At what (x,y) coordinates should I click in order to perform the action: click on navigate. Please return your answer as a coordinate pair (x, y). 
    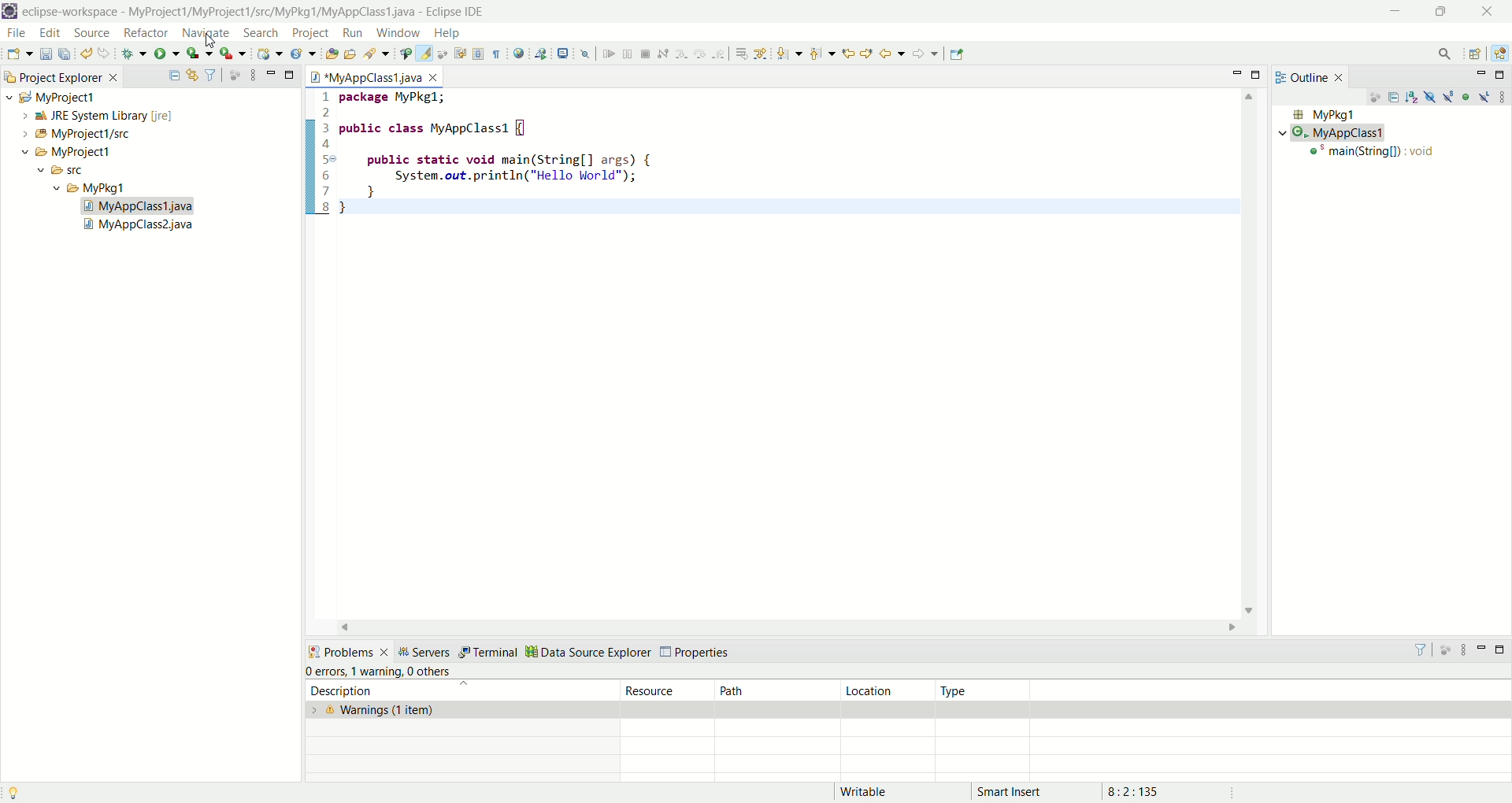
    Looking at the image, I should click on (206, 31).